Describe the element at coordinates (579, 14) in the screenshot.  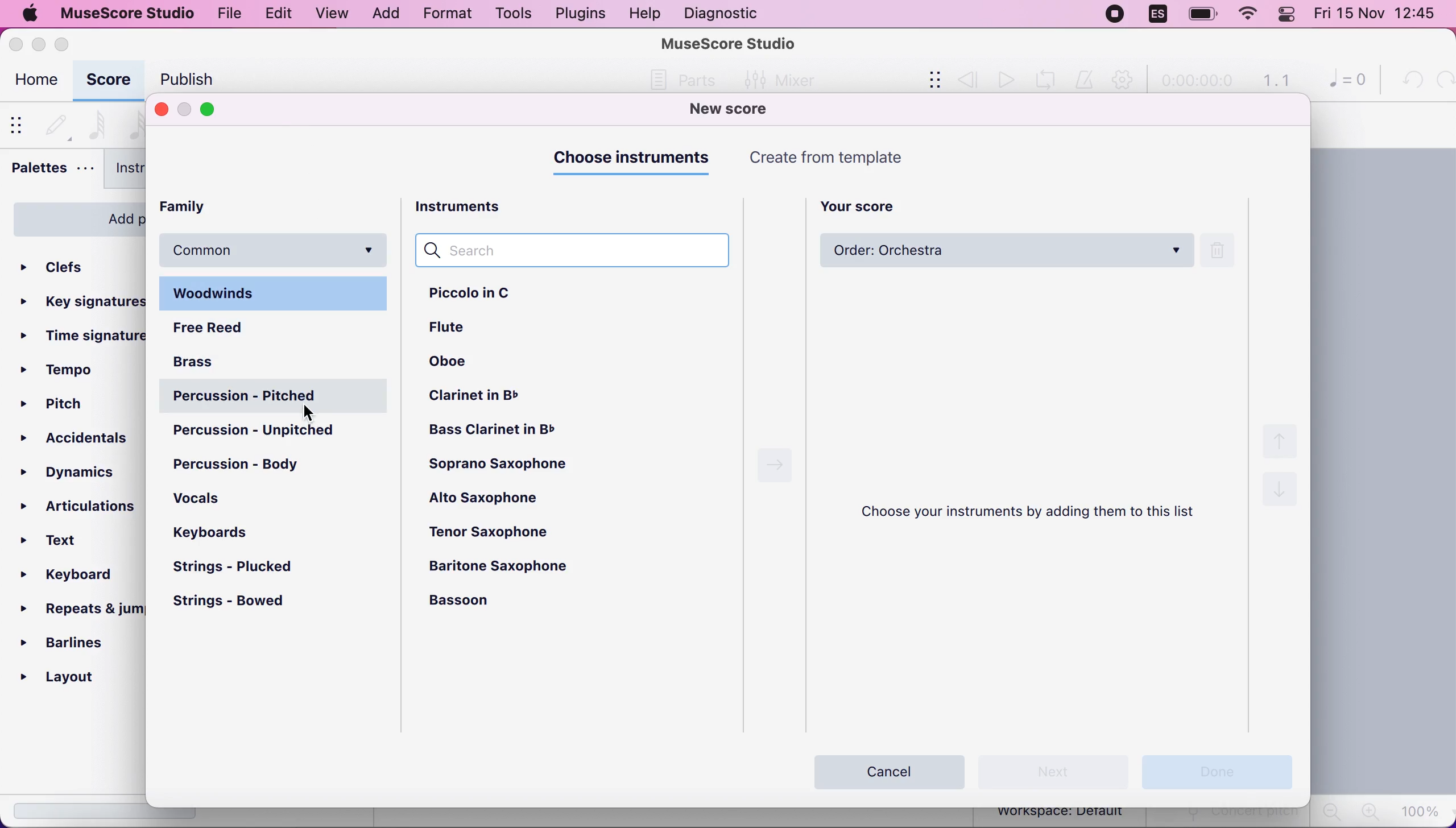
I see `plugins` at that location.